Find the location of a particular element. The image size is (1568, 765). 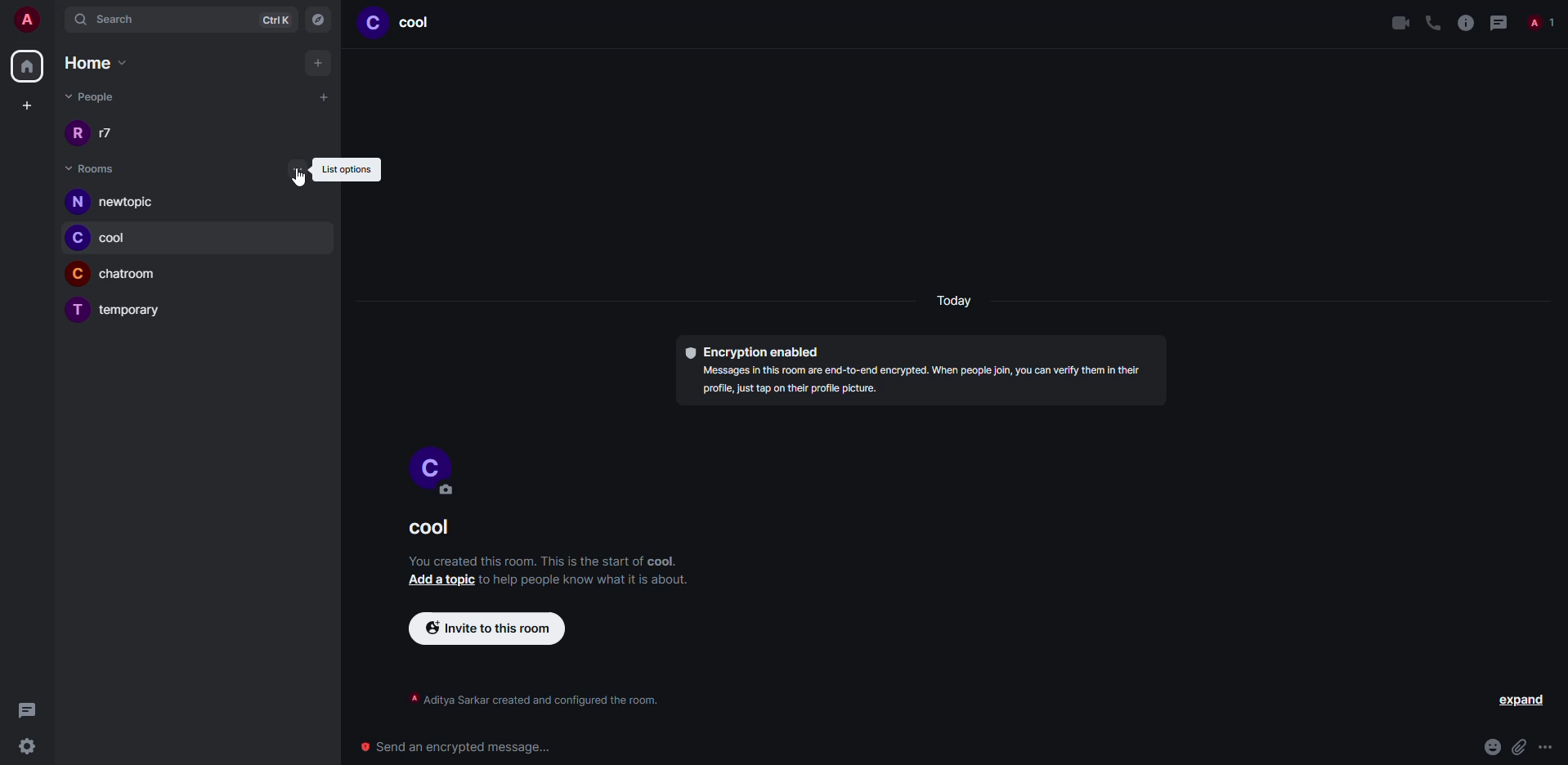

account is located at coordinates (32, 20).